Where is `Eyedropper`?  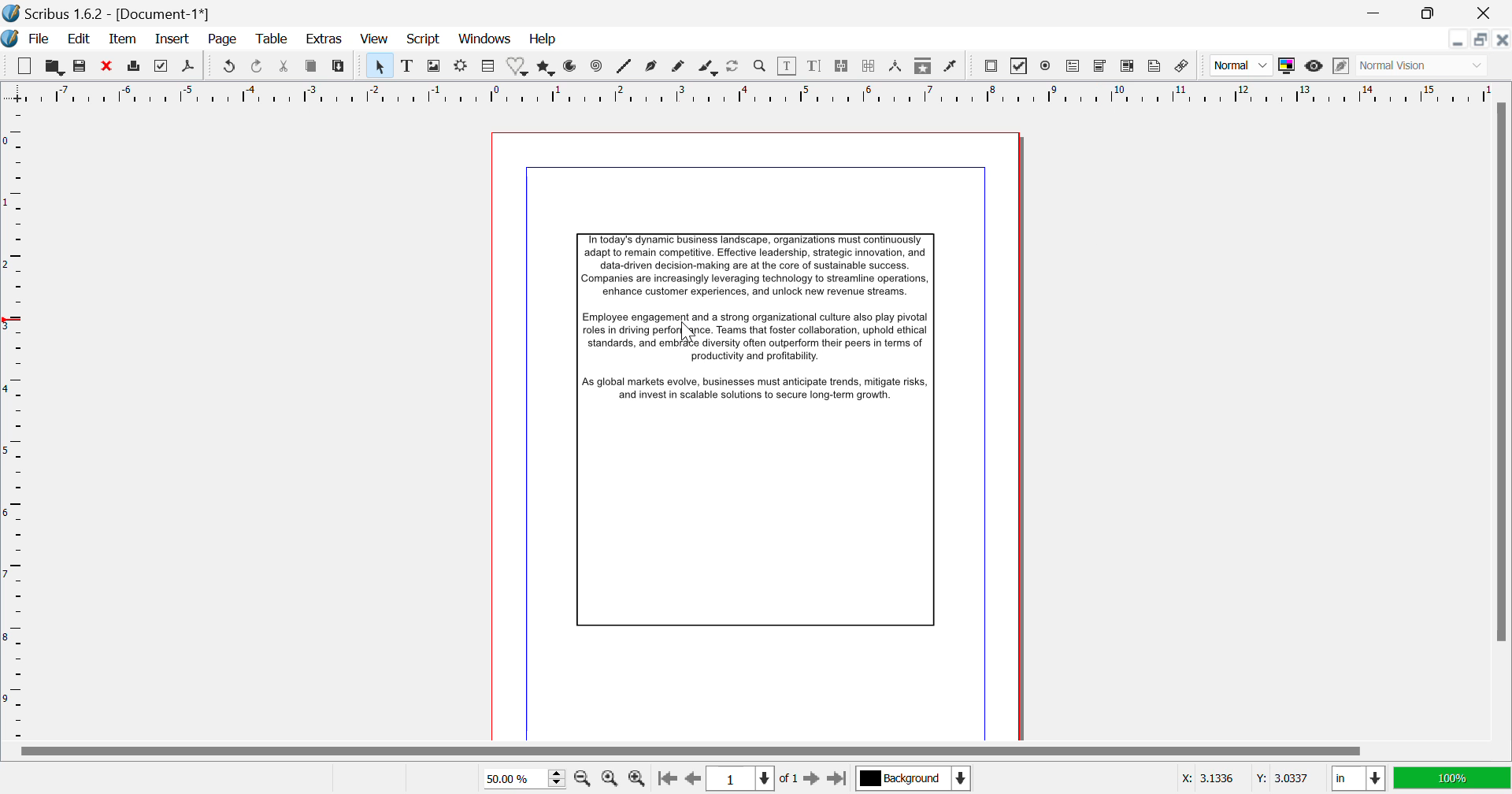 Eyedropper is located at coordinates (953, 68).